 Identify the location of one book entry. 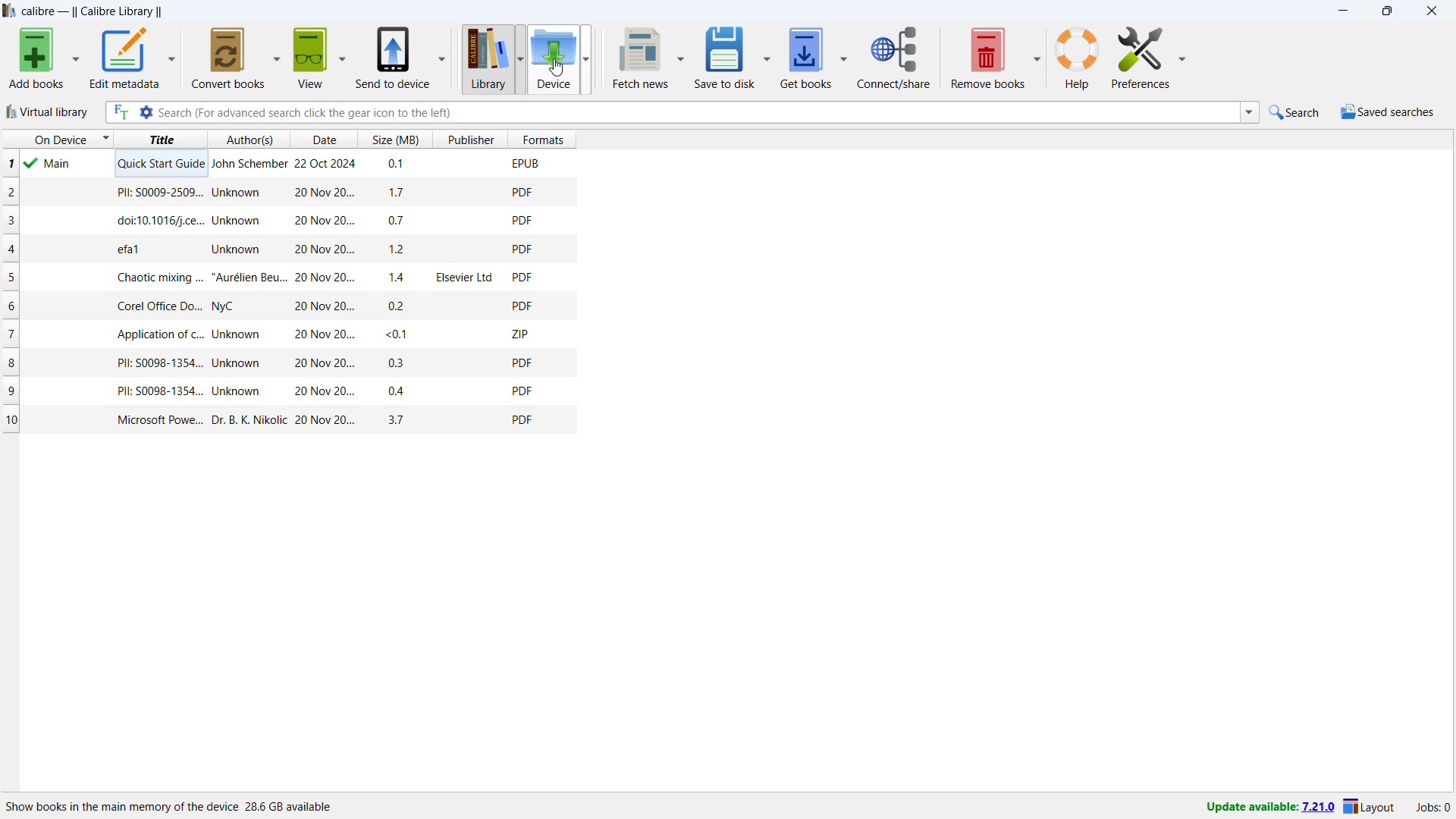
(288, 305).